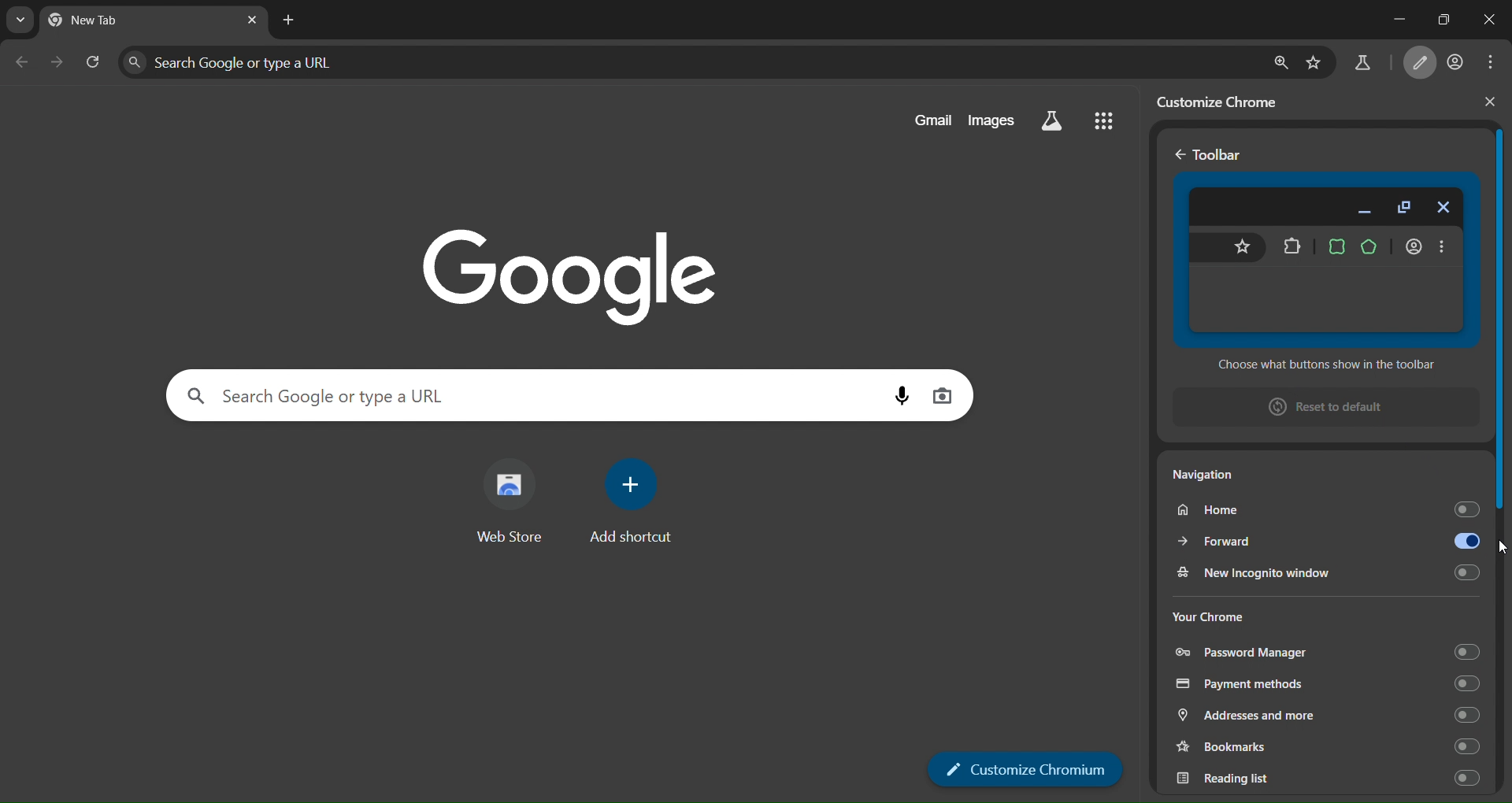 This screenshot has height=803, width=1512. I want to click on bookmark page, so click(1314, 61).